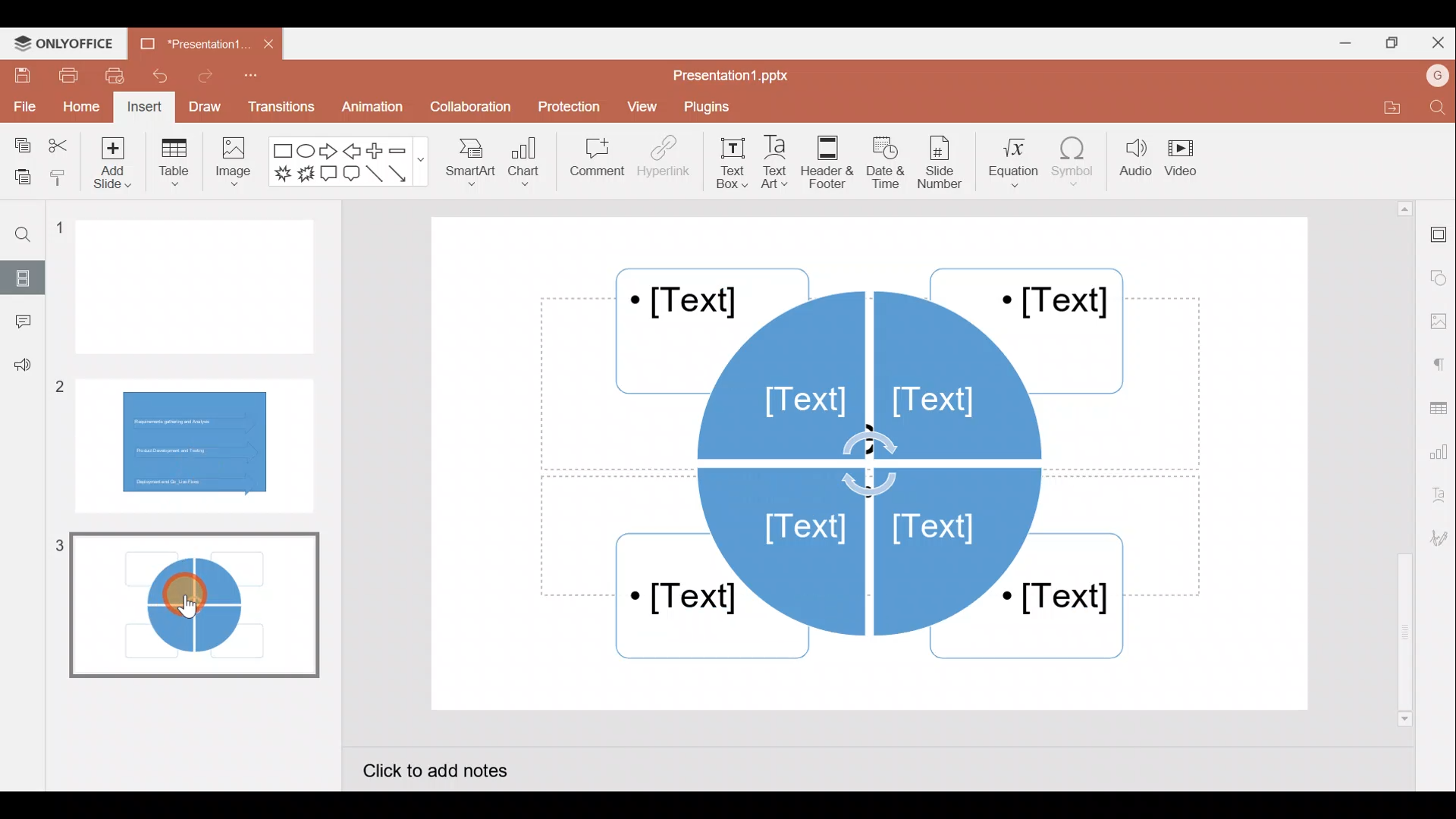  Describe the element at coordinates (279, 151) in the screenshot. I see `Rectangle` at that location.